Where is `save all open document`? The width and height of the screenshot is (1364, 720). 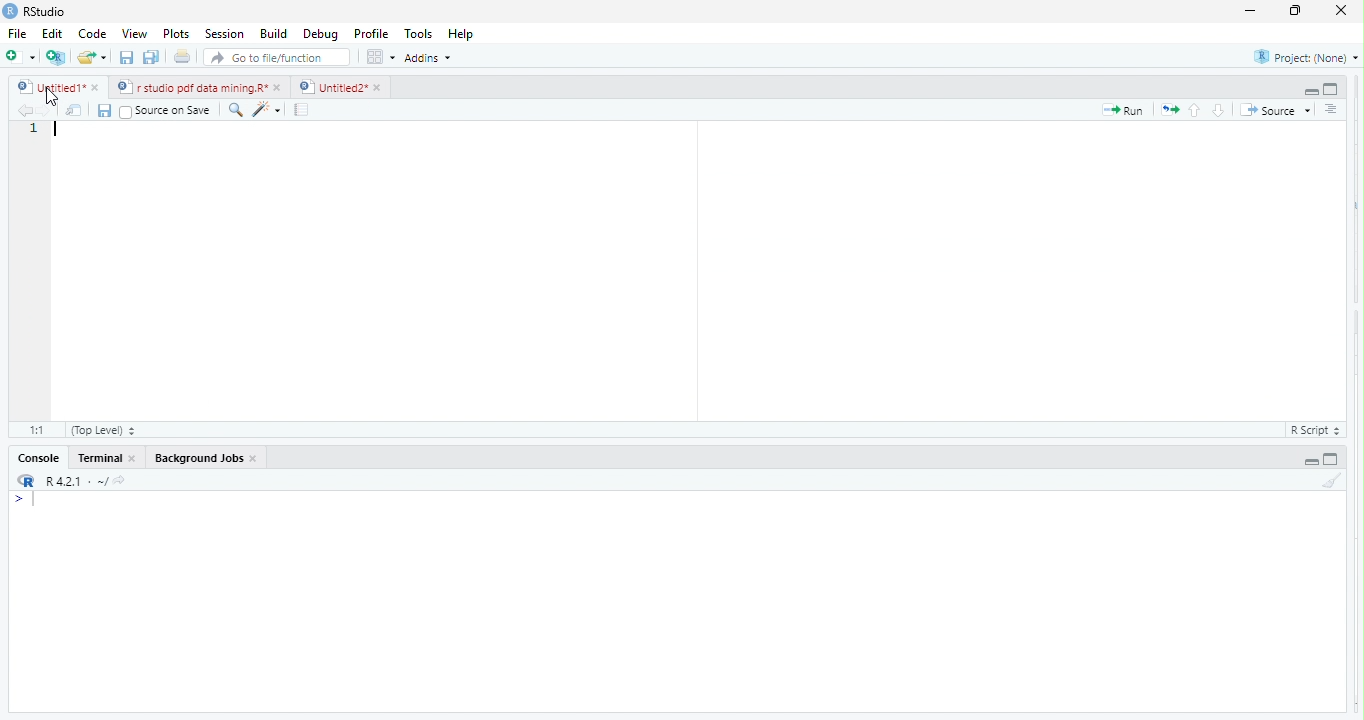 save all open document is located at coordinates (150, 57).